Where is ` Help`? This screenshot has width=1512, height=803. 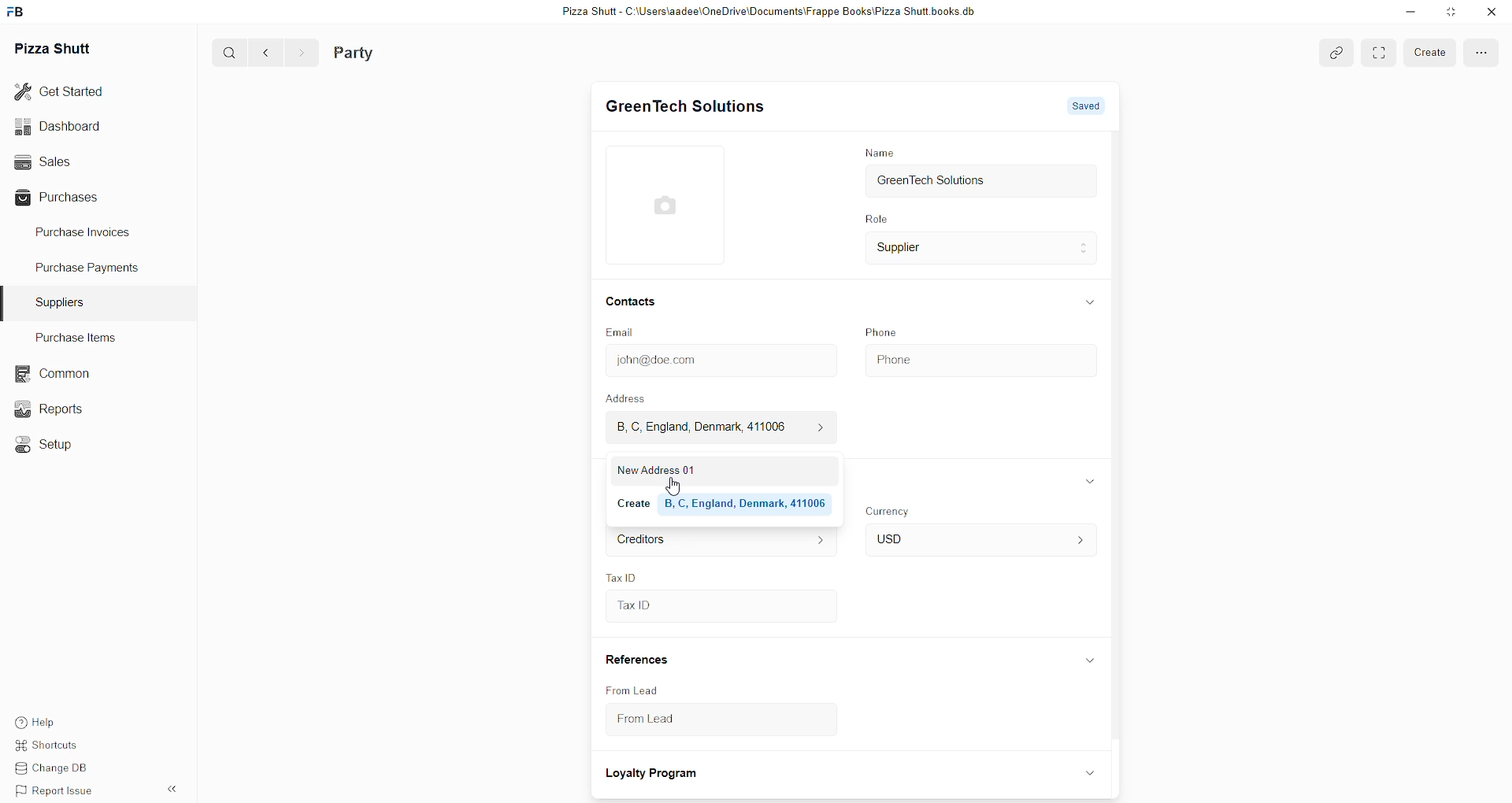
 Help is located at coordinates (57, 723).